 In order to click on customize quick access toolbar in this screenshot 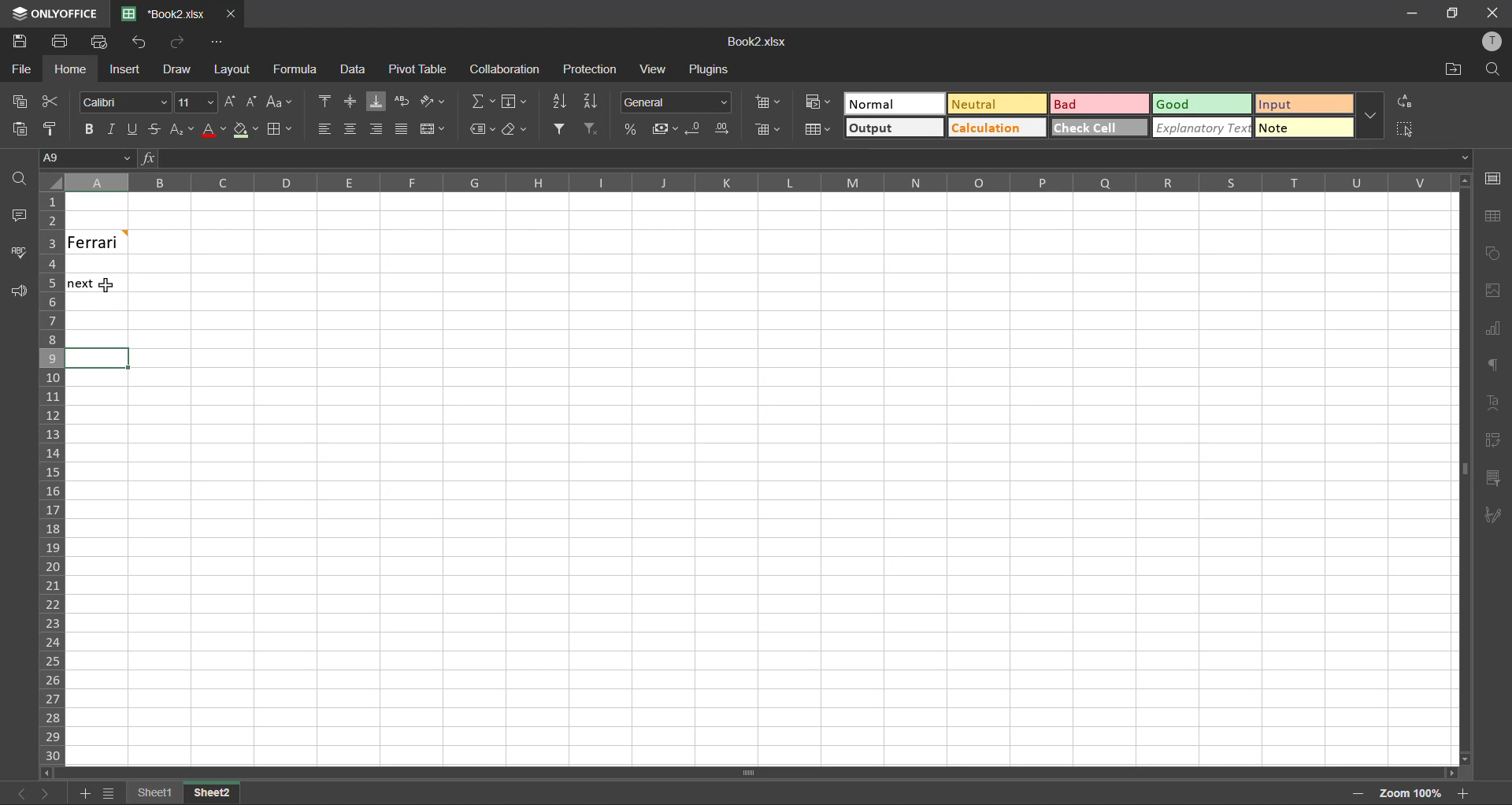, I will do `click(215, 44)`.